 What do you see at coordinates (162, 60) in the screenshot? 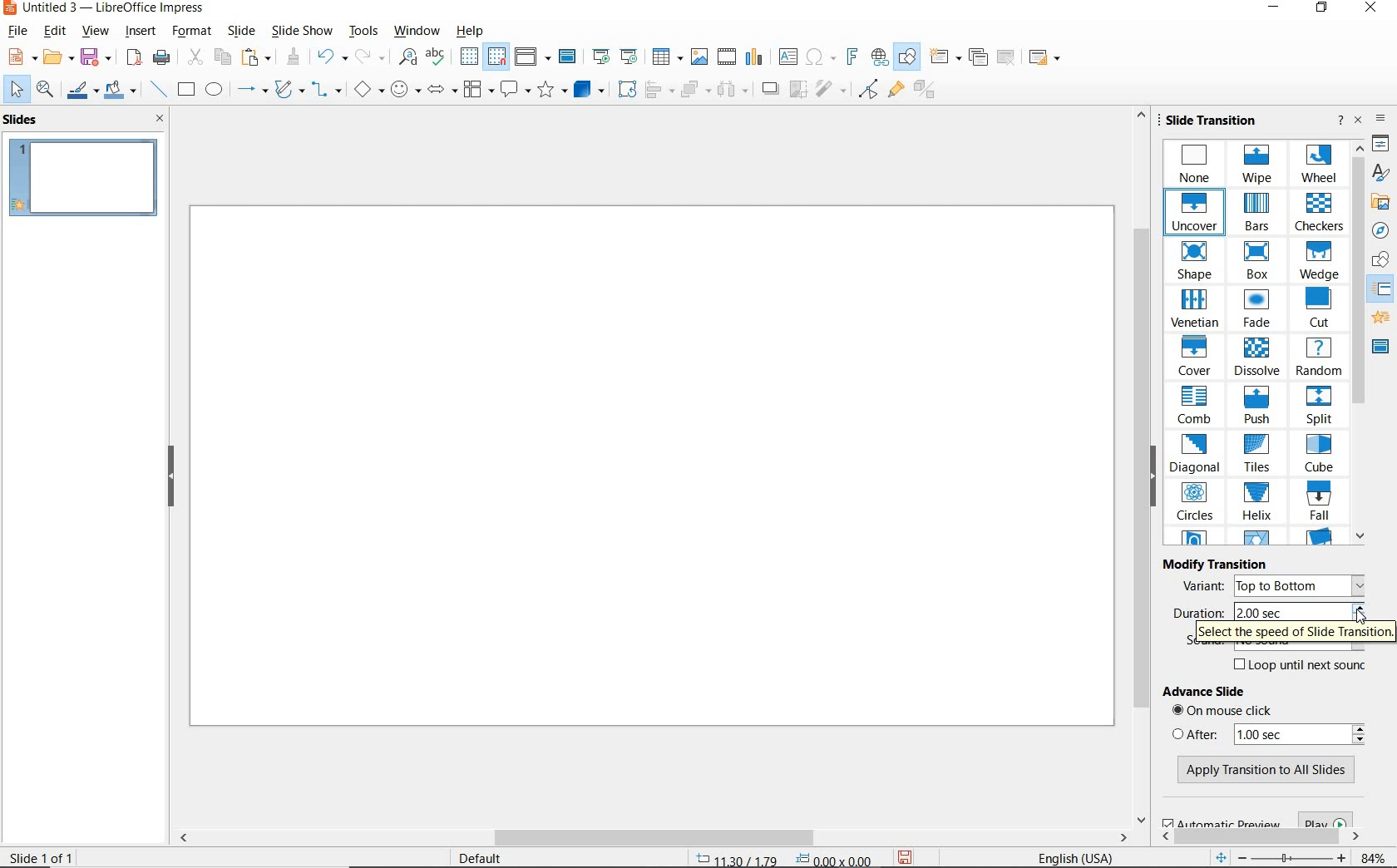
I see `PRINT` at bounding box center [162, 60].